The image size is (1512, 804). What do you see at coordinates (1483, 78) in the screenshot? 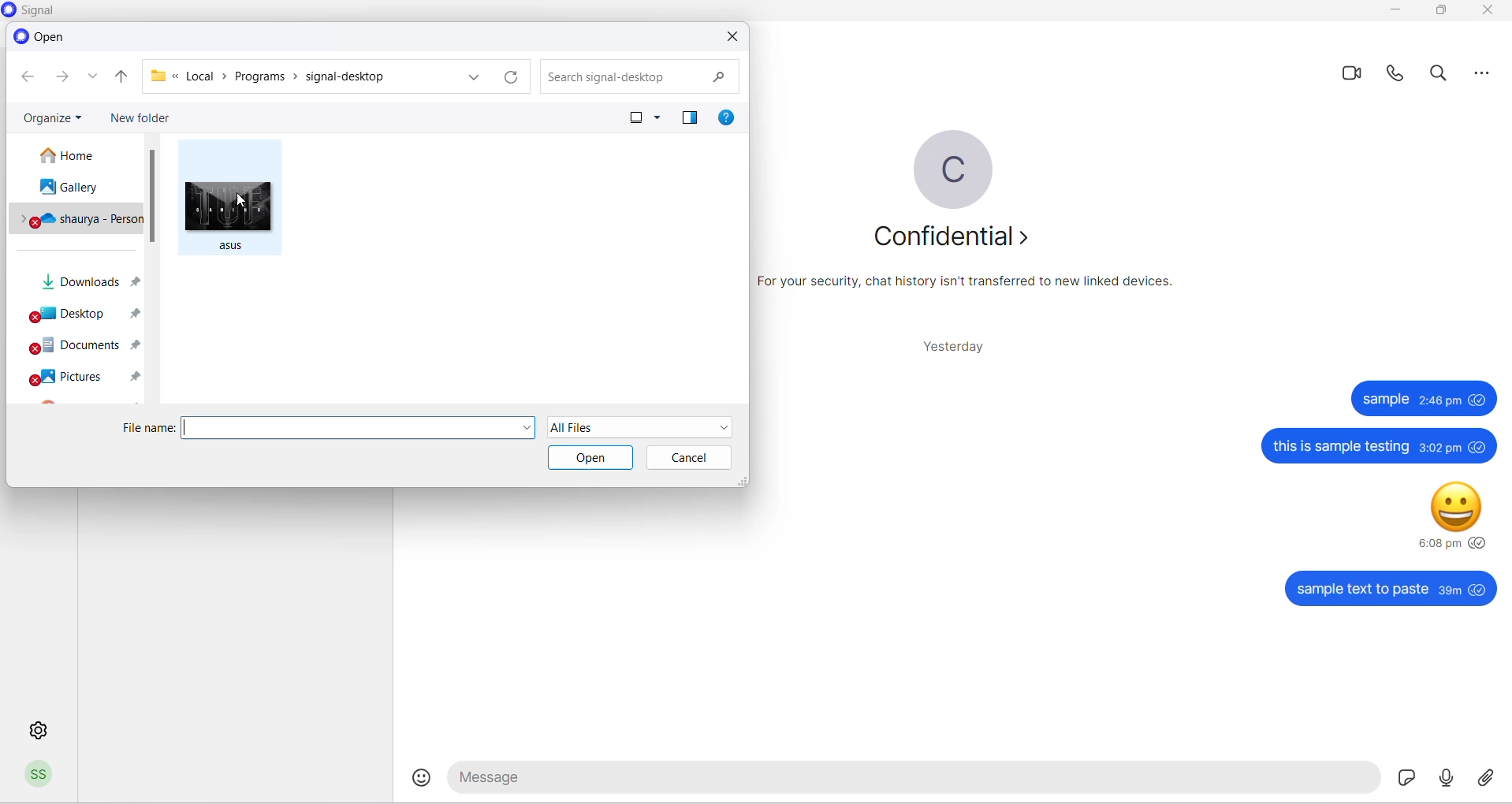
I see `more options` at bounding box center [1483, 78].